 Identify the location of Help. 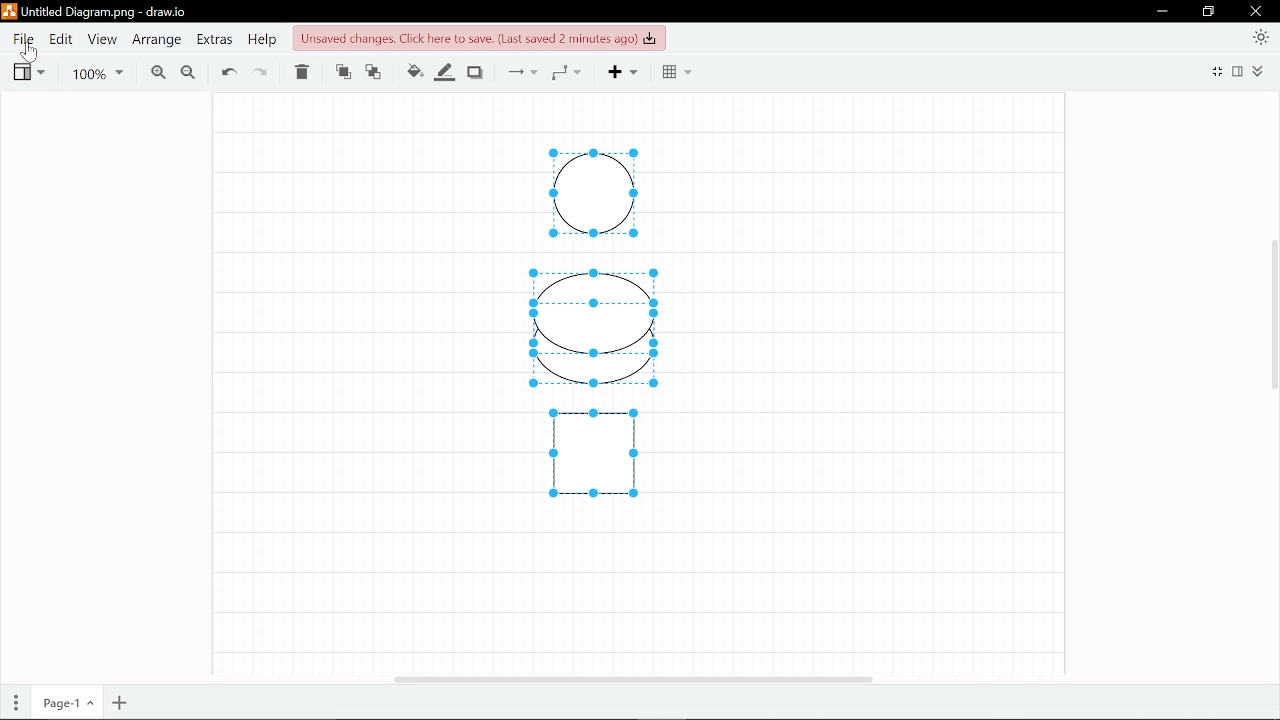
(262, 41).